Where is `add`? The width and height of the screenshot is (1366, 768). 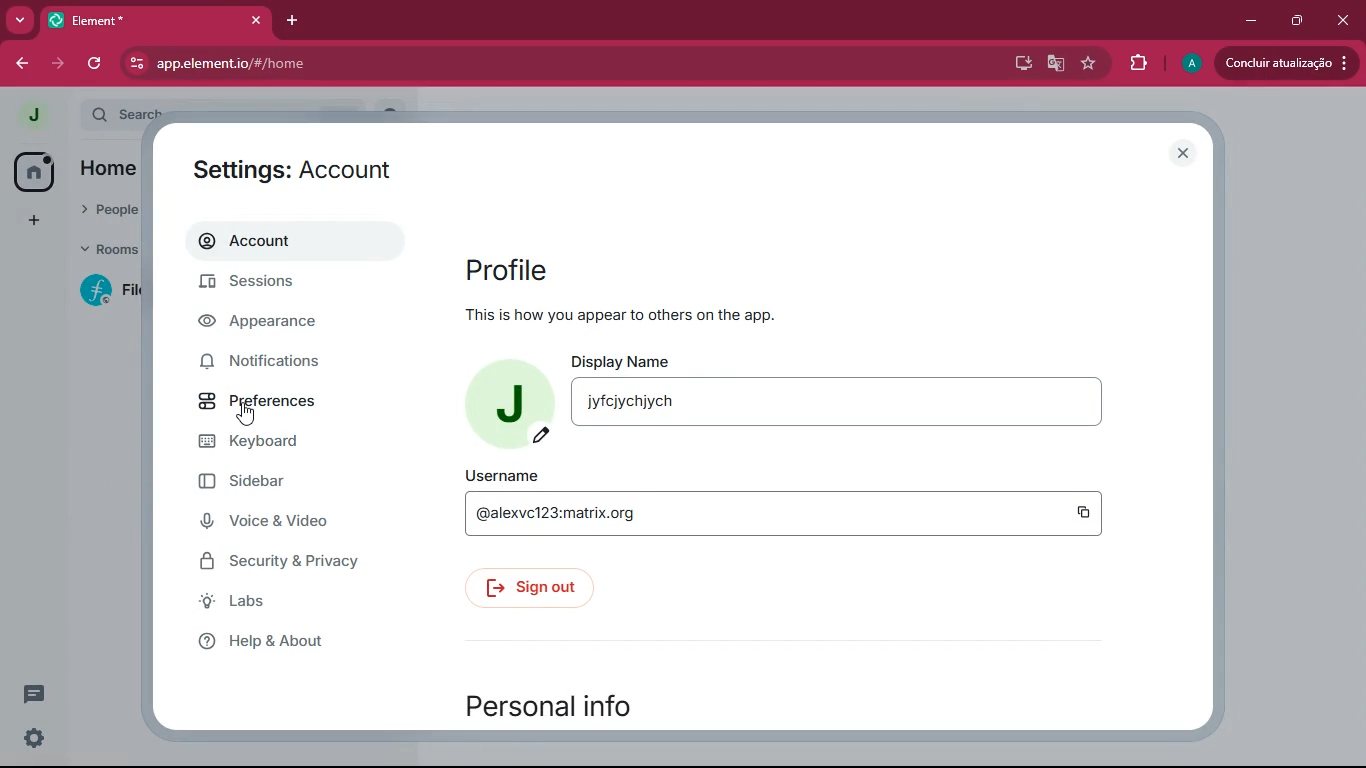 add is located at coordinates (30, 221).